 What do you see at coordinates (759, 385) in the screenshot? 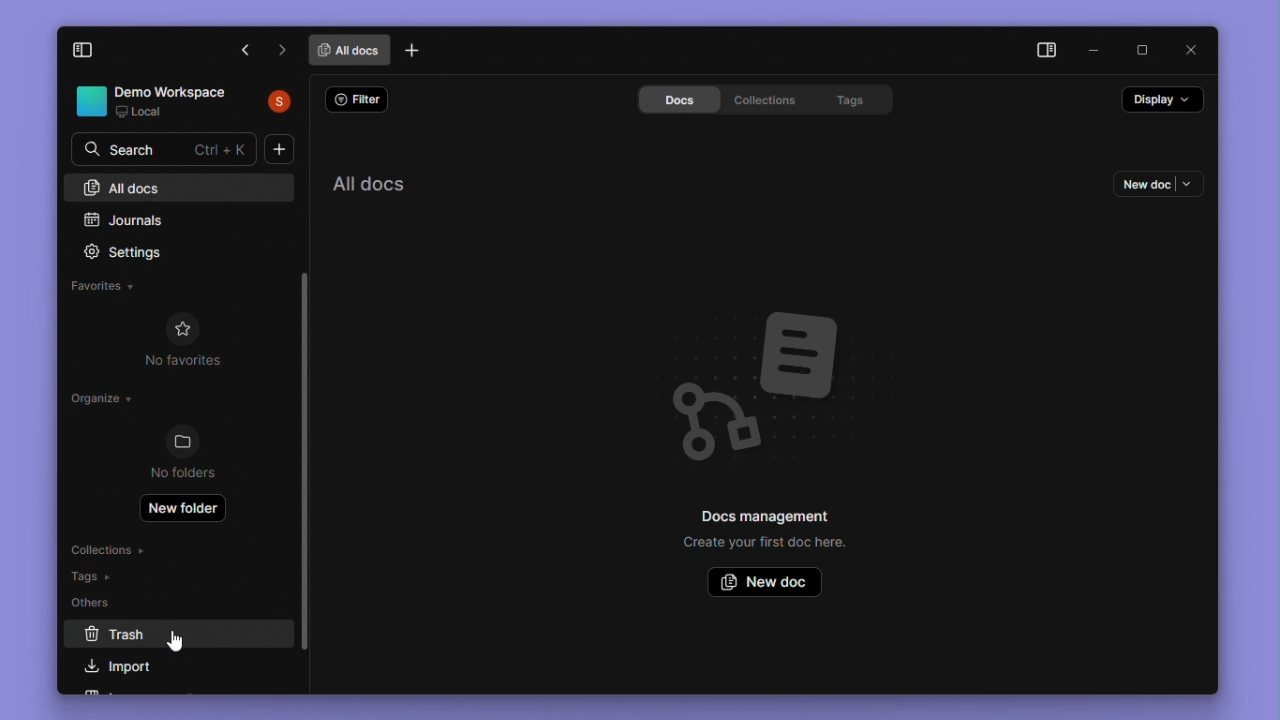
I see `Background image` at bounding box center [759, 385].